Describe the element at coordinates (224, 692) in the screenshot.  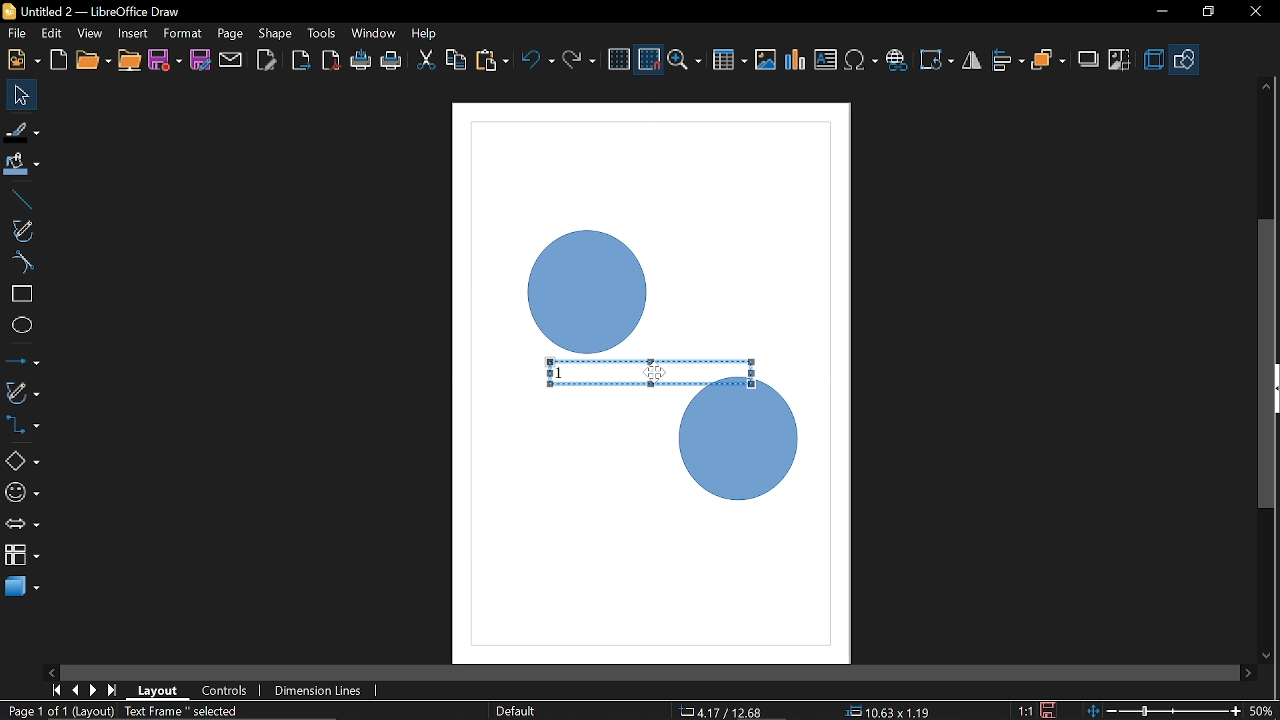
I see `Controls` at that location.